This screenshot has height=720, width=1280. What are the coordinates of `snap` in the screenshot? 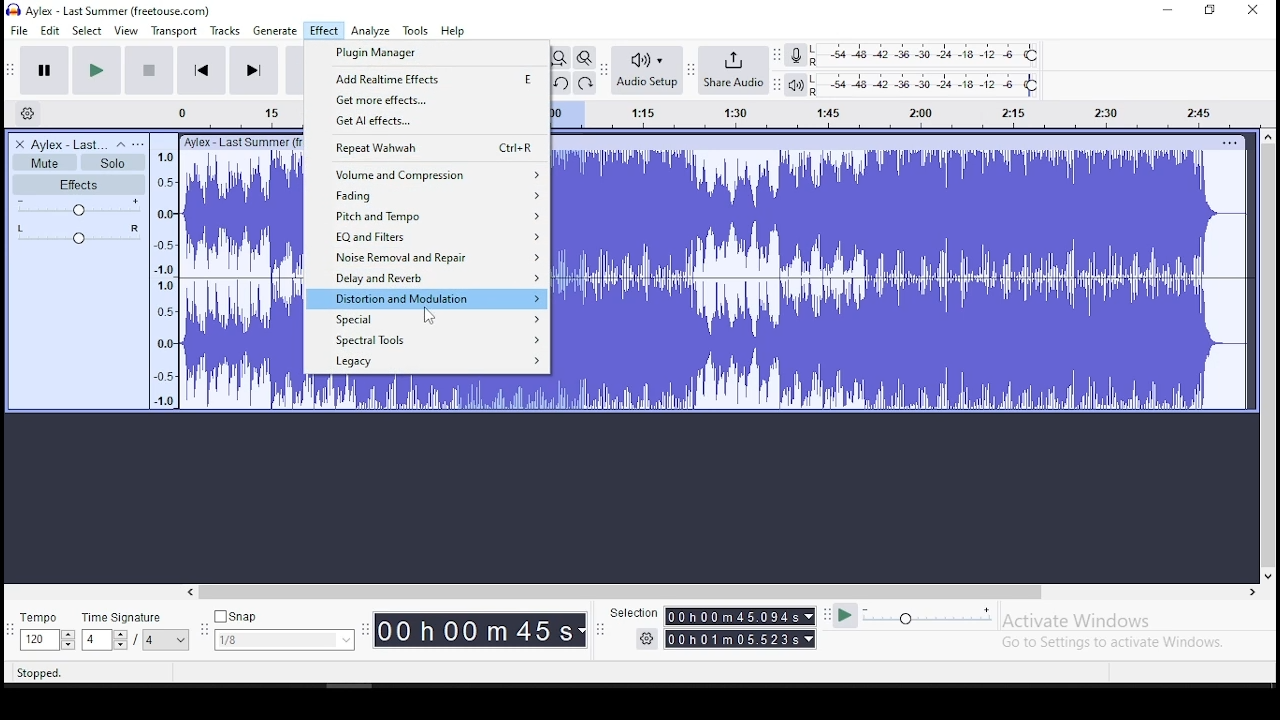 It's located at (286, 631).